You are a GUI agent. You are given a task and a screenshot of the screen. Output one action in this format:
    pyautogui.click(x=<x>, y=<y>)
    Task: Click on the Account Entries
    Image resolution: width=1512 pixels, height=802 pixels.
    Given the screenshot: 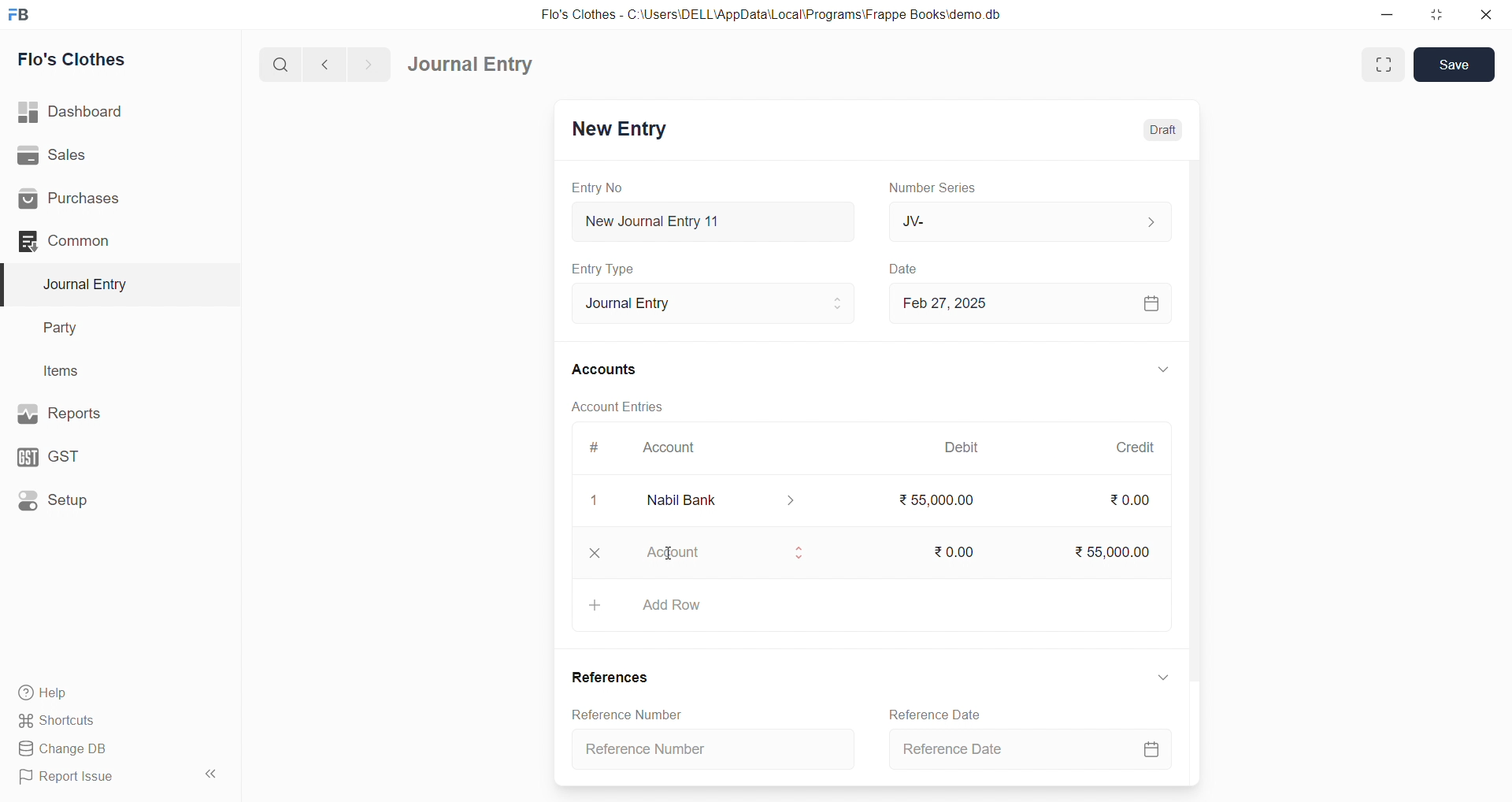 What is the action you would take?
    pyautogui.click(x=619, y=405)
    